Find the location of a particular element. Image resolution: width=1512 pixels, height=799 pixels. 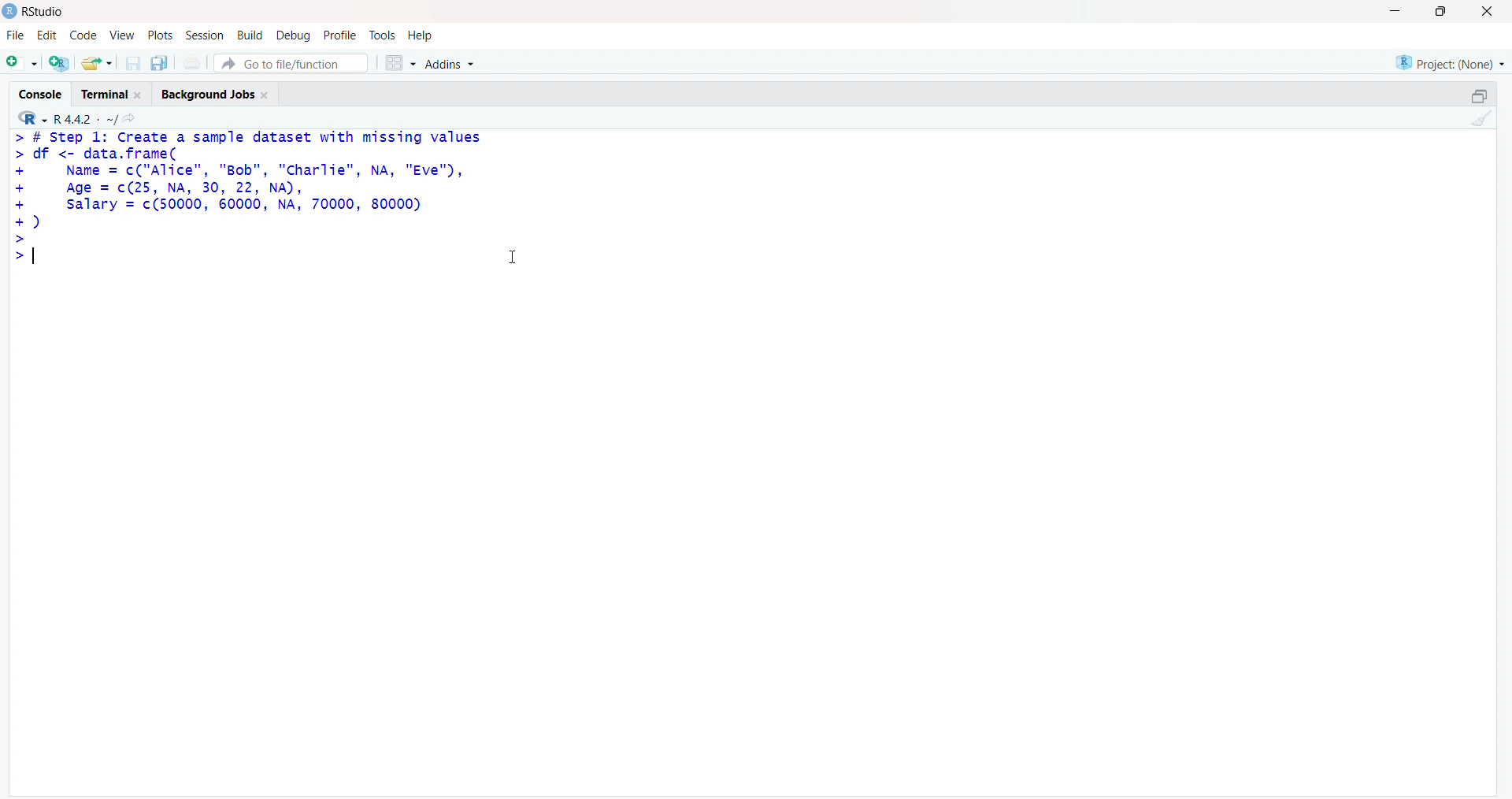

Workspace panes is located at coordinates (399, 63).